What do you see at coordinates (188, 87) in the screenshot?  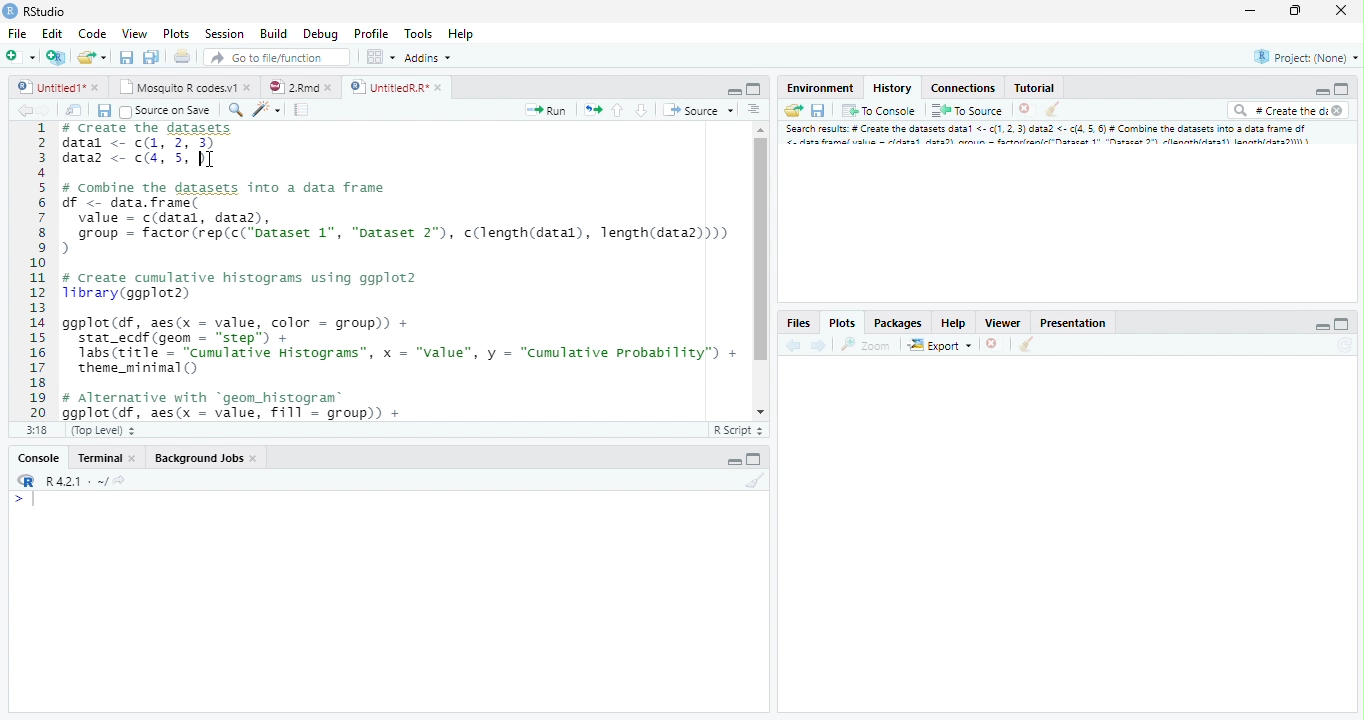 I see `Mosquito R codes` at bounding box center [188, 87].